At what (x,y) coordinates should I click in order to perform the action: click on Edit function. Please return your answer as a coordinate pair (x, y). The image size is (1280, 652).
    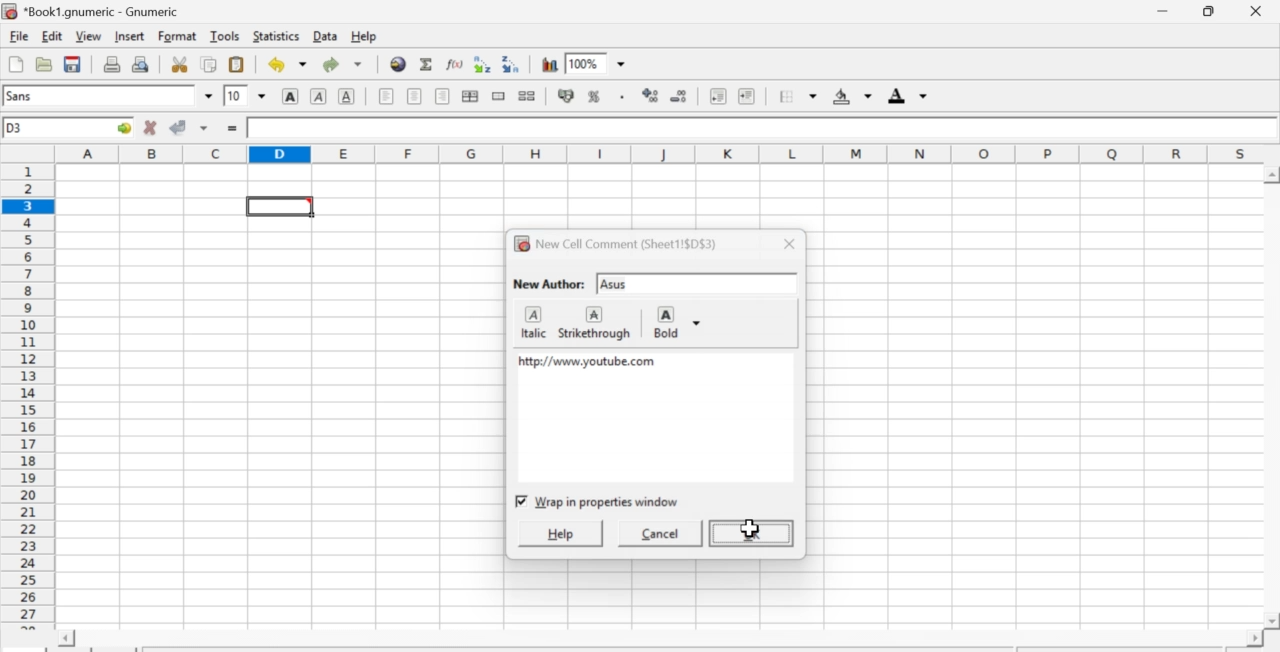
    Looking at the image, I should click on (454, 67).